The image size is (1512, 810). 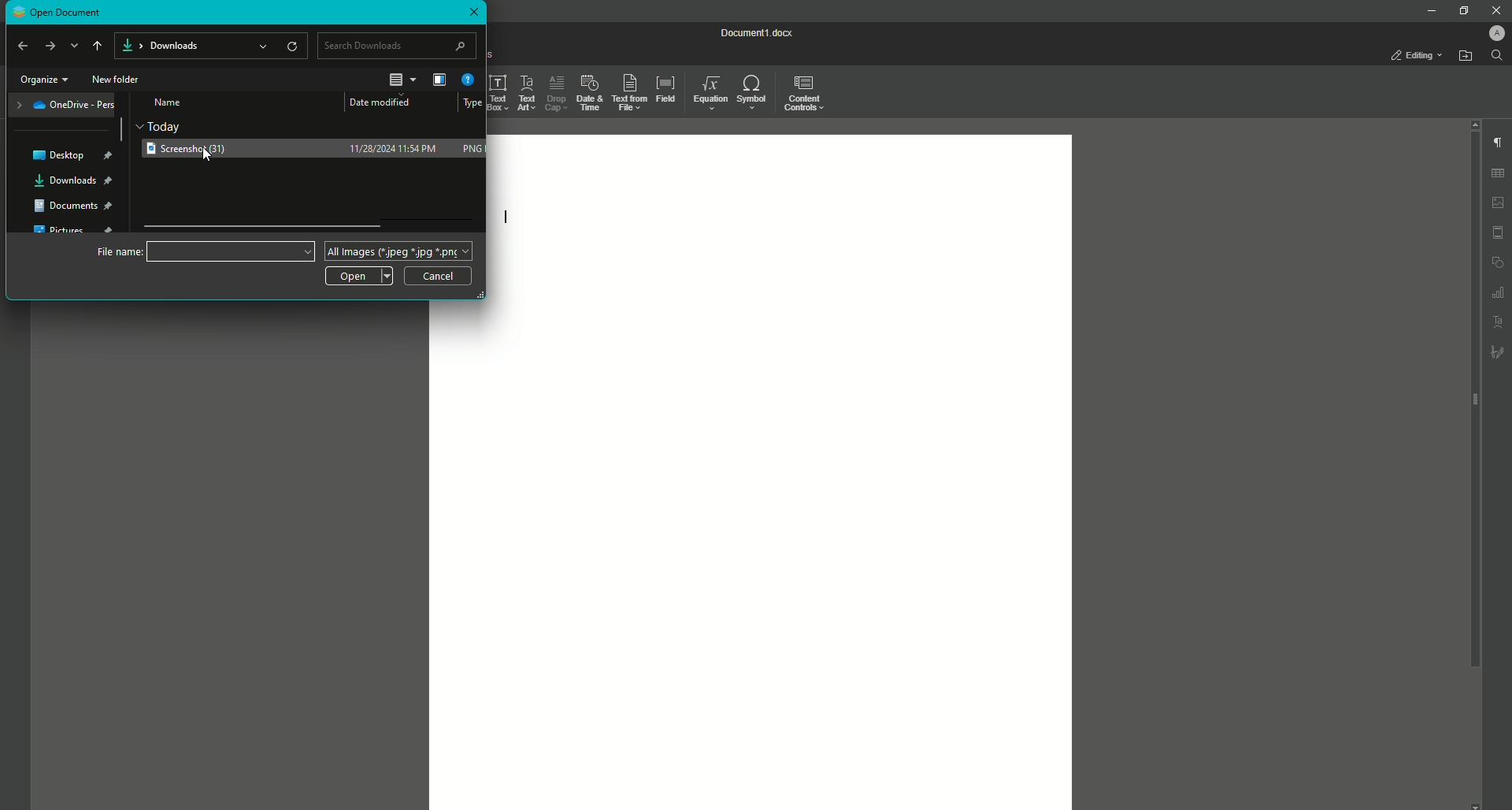 What do you see at coordinates (473, 104) in the screenshot?
I see `Type` at bounding box center [473, 104].